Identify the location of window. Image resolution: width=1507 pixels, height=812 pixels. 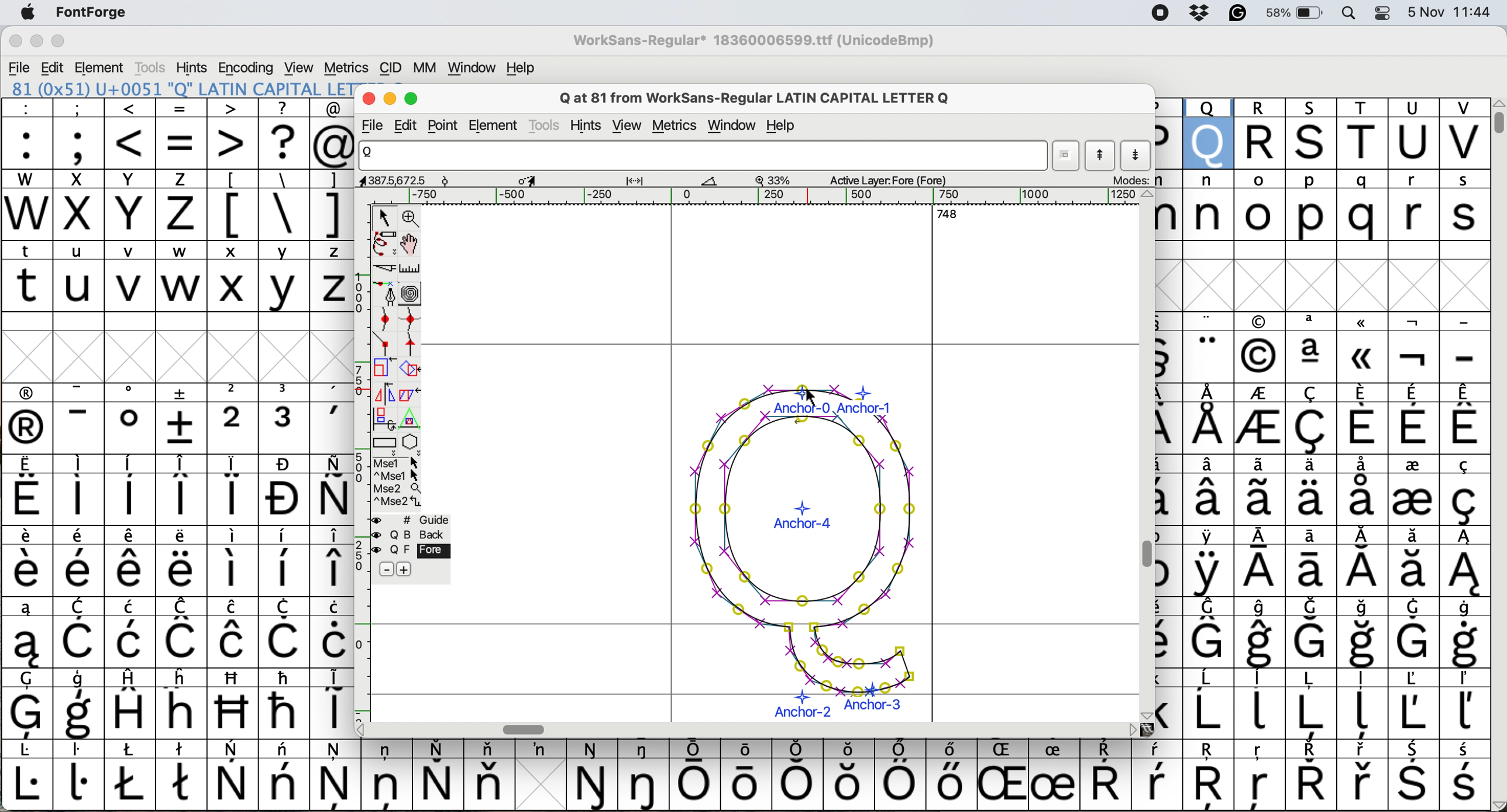
(473, 67).